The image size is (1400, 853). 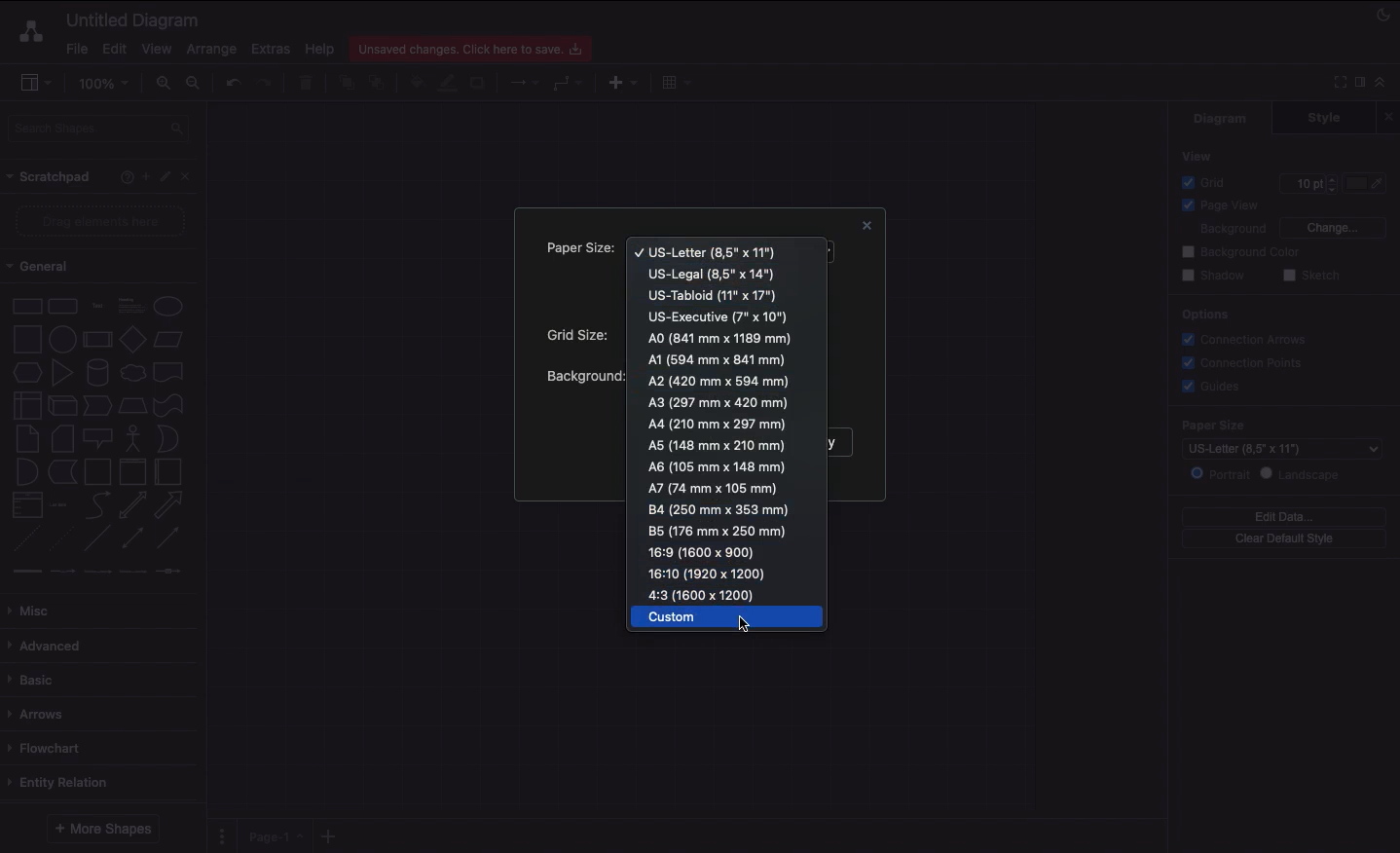 I want to click on Line, so click(x=97, y=539).